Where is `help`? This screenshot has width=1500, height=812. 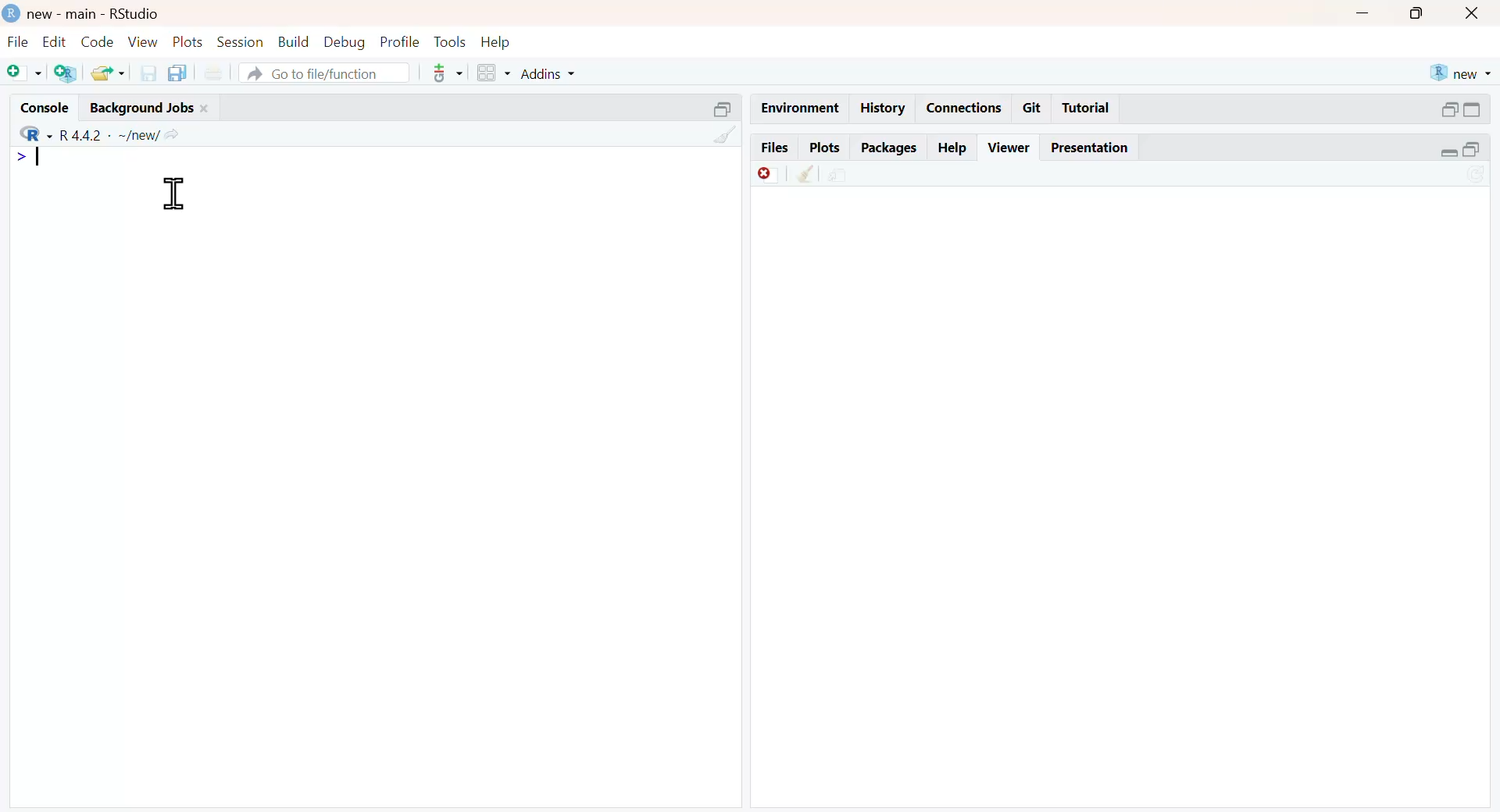 help is located at coordinates (953, 149).